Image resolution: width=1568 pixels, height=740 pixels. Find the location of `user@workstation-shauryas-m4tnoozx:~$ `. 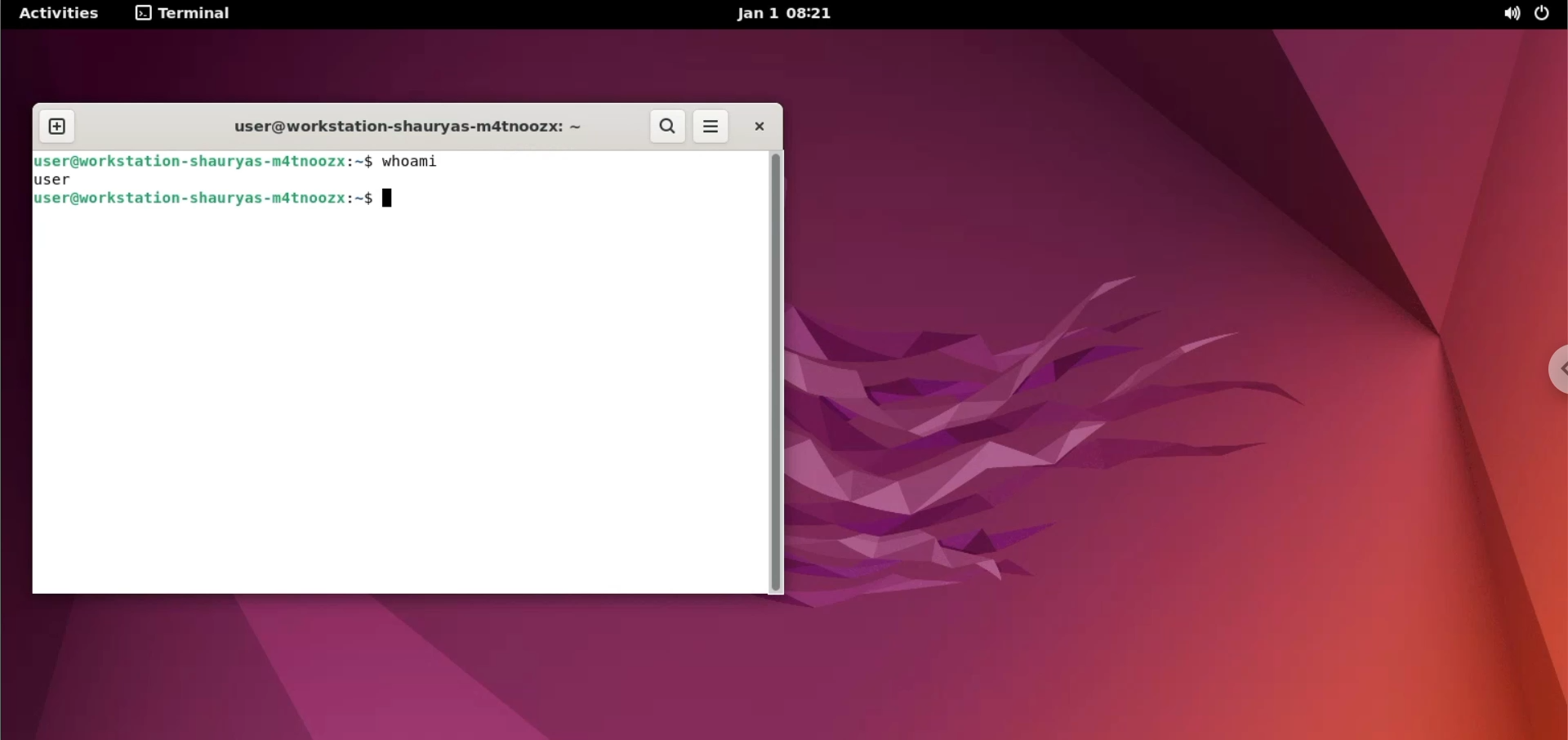

user@workstation-shauryas-m4tnoozx:~$  is located at coordinates (263, 203).